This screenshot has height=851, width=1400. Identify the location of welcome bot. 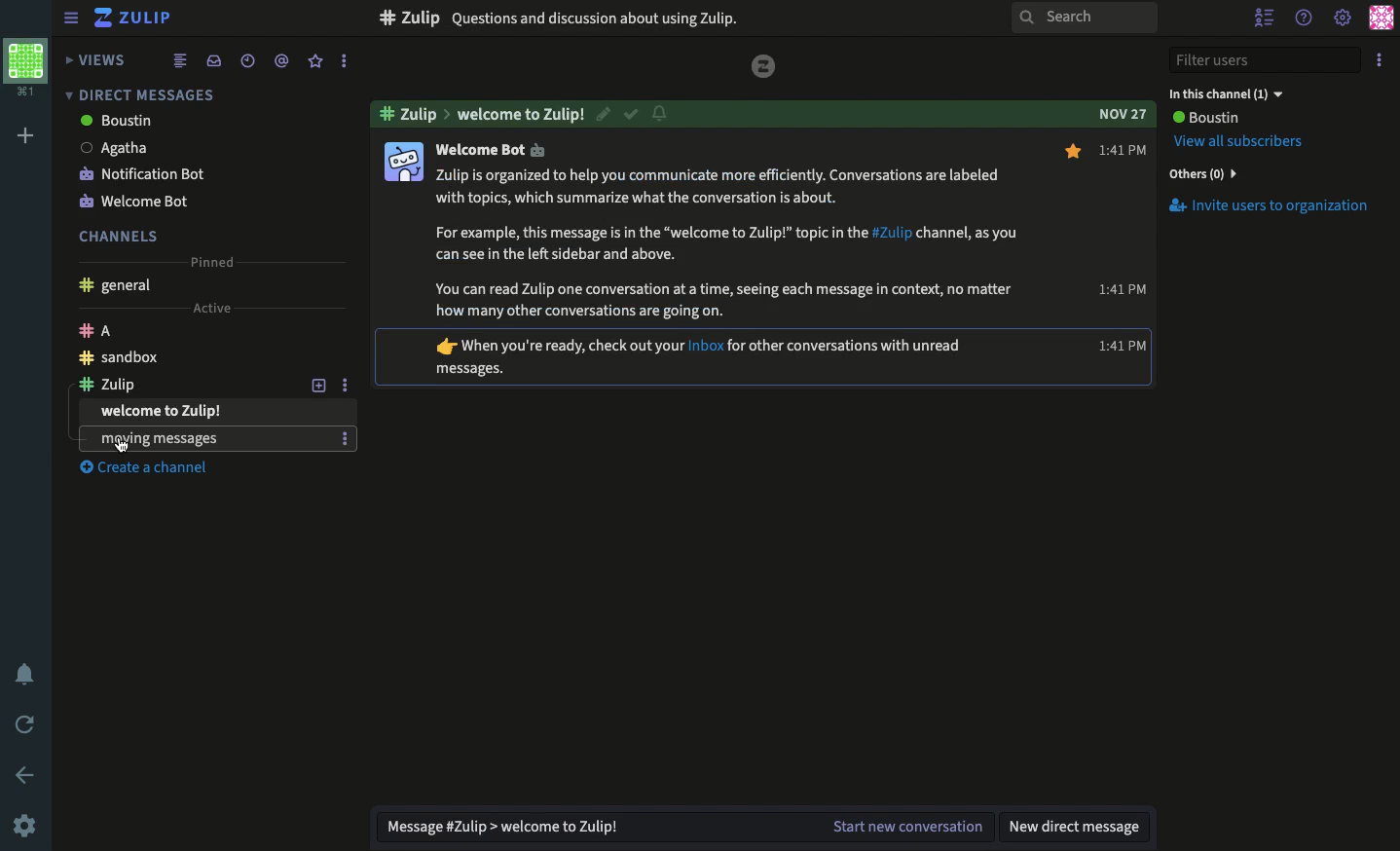
(490, 149).